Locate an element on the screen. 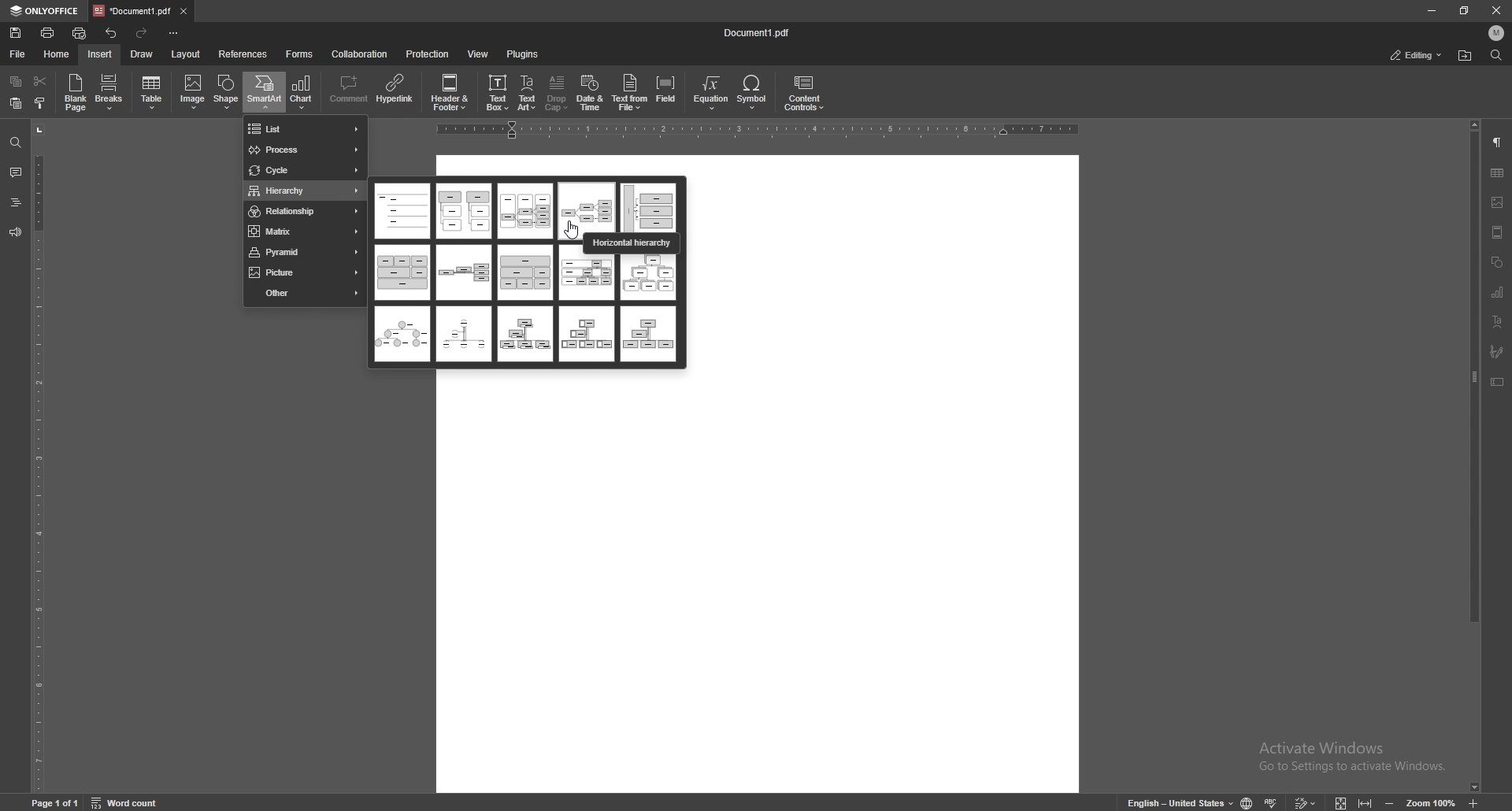 This screenshot has height=811, width=1512. cycle is located at coordinates (305, 171).